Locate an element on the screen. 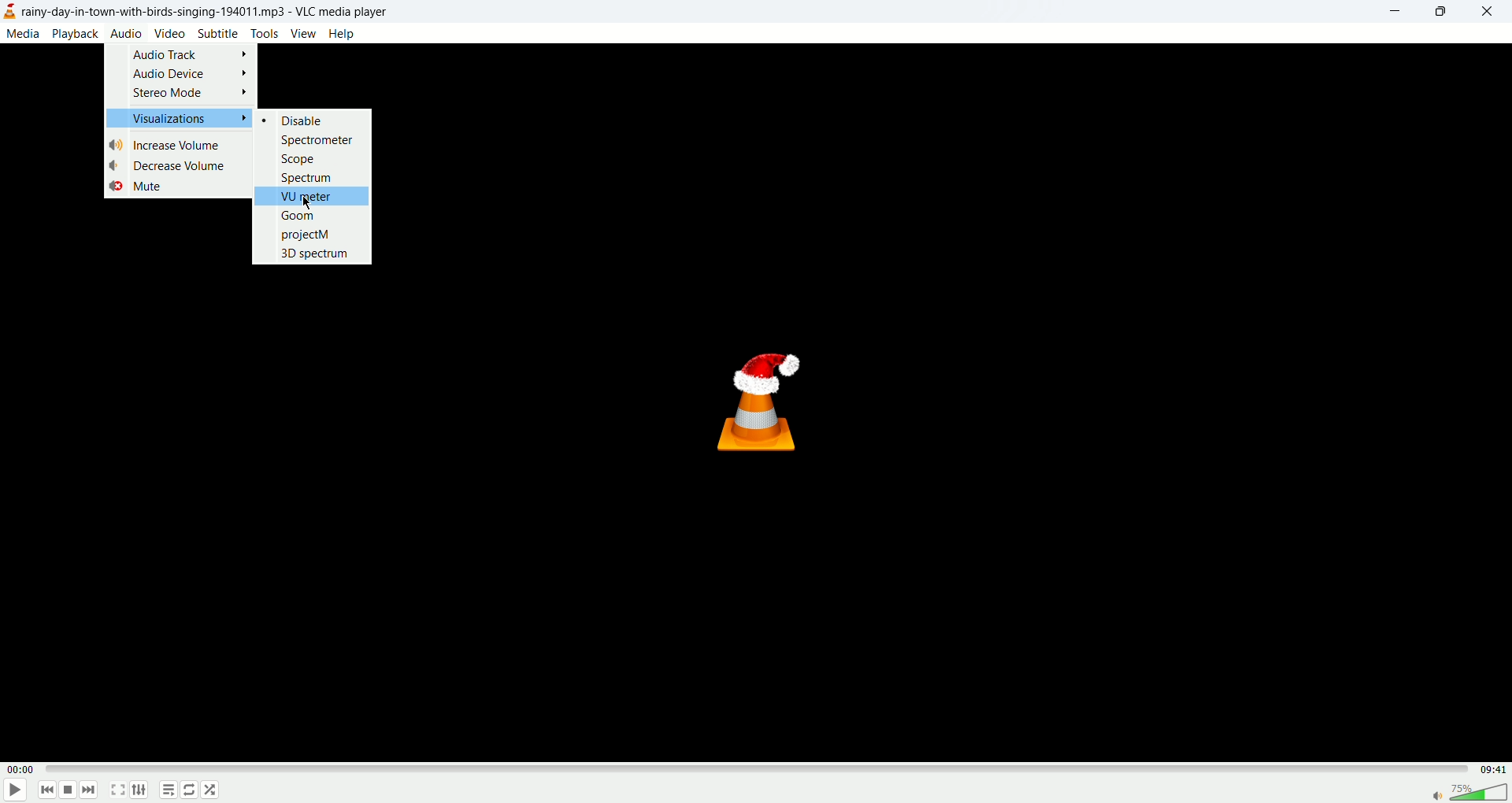 Image resolution: width=1512 pixels, height=803 pixels. played time is located at coordinates (20, 768).